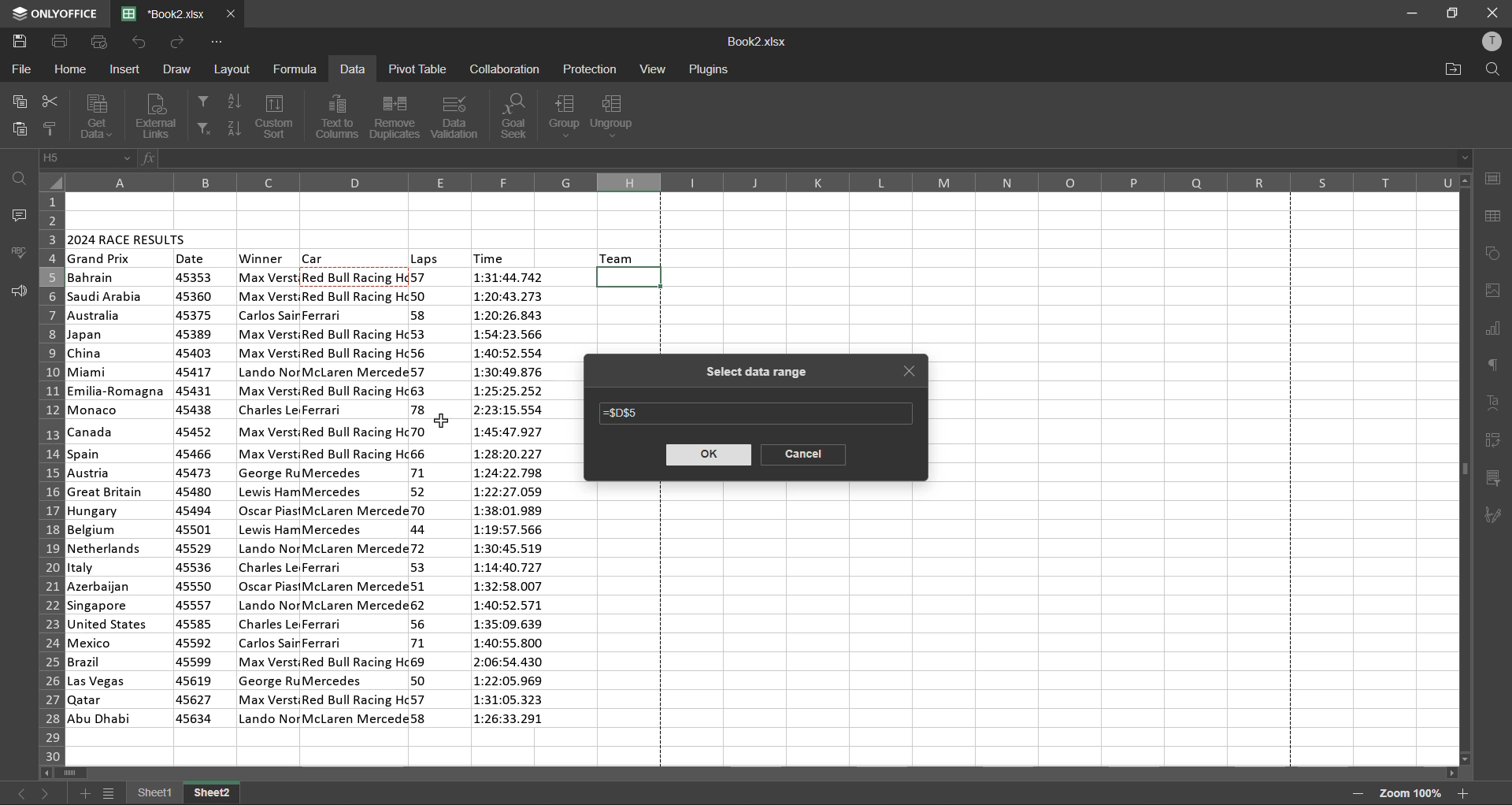 The image size is (1512, 805). I want to click on select data range, so click(751, 373).